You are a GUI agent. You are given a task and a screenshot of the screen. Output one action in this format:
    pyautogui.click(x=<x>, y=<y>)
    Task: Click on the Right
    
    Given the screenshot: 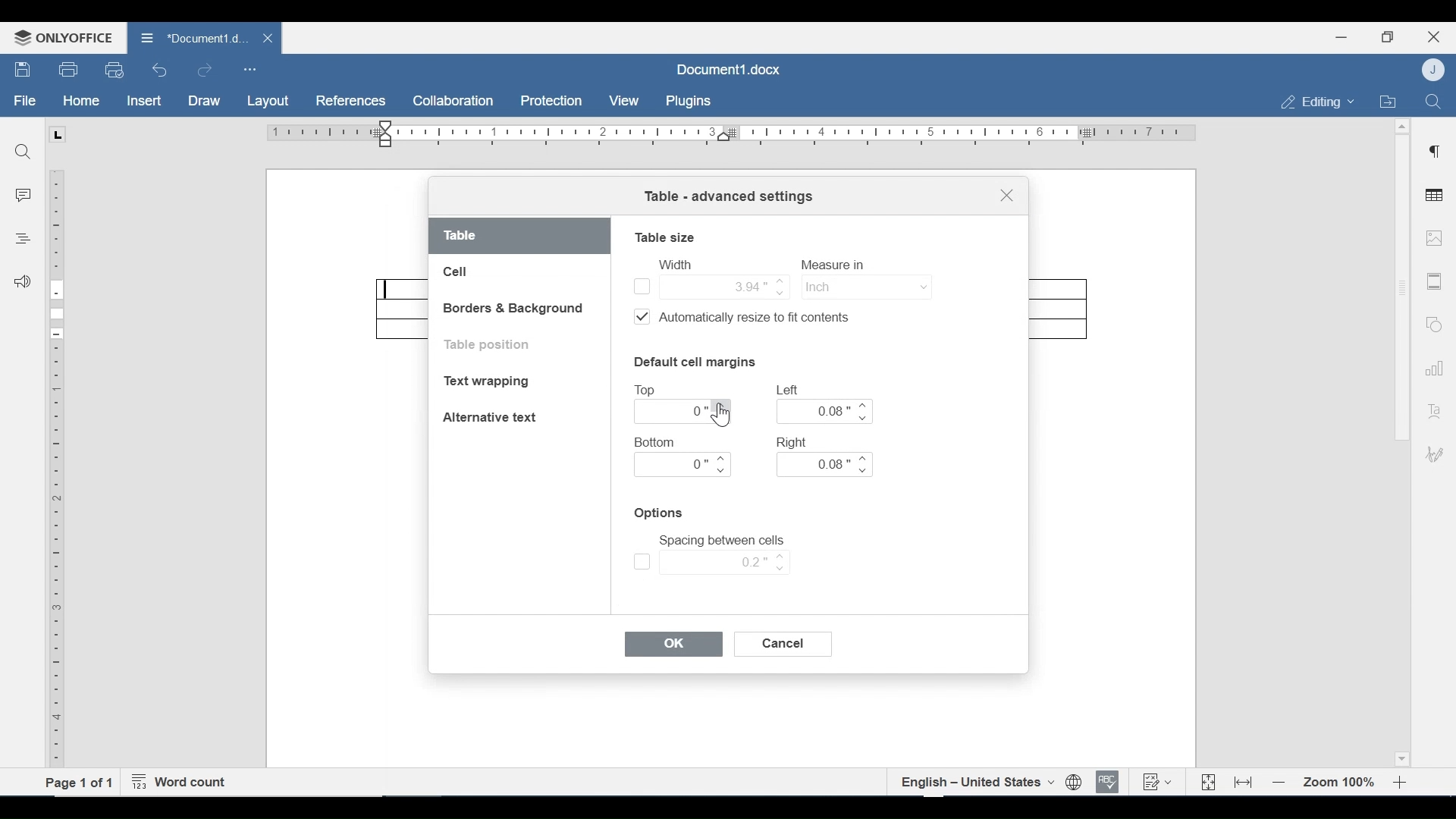 What is the action you would take?
    pyautogui.click(x=794, y=441)
    